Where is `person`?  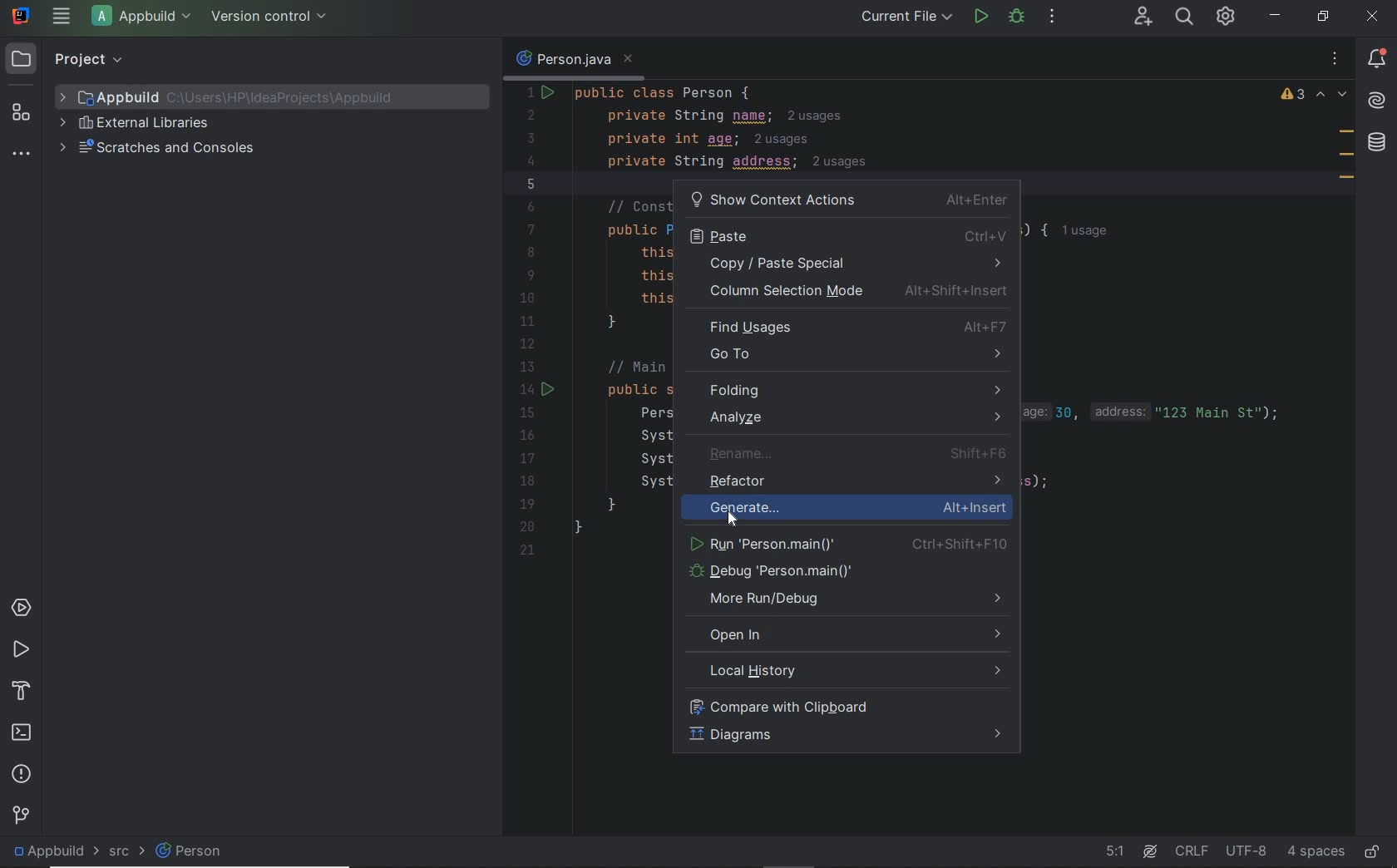 person is located at coordinates (205, 855).